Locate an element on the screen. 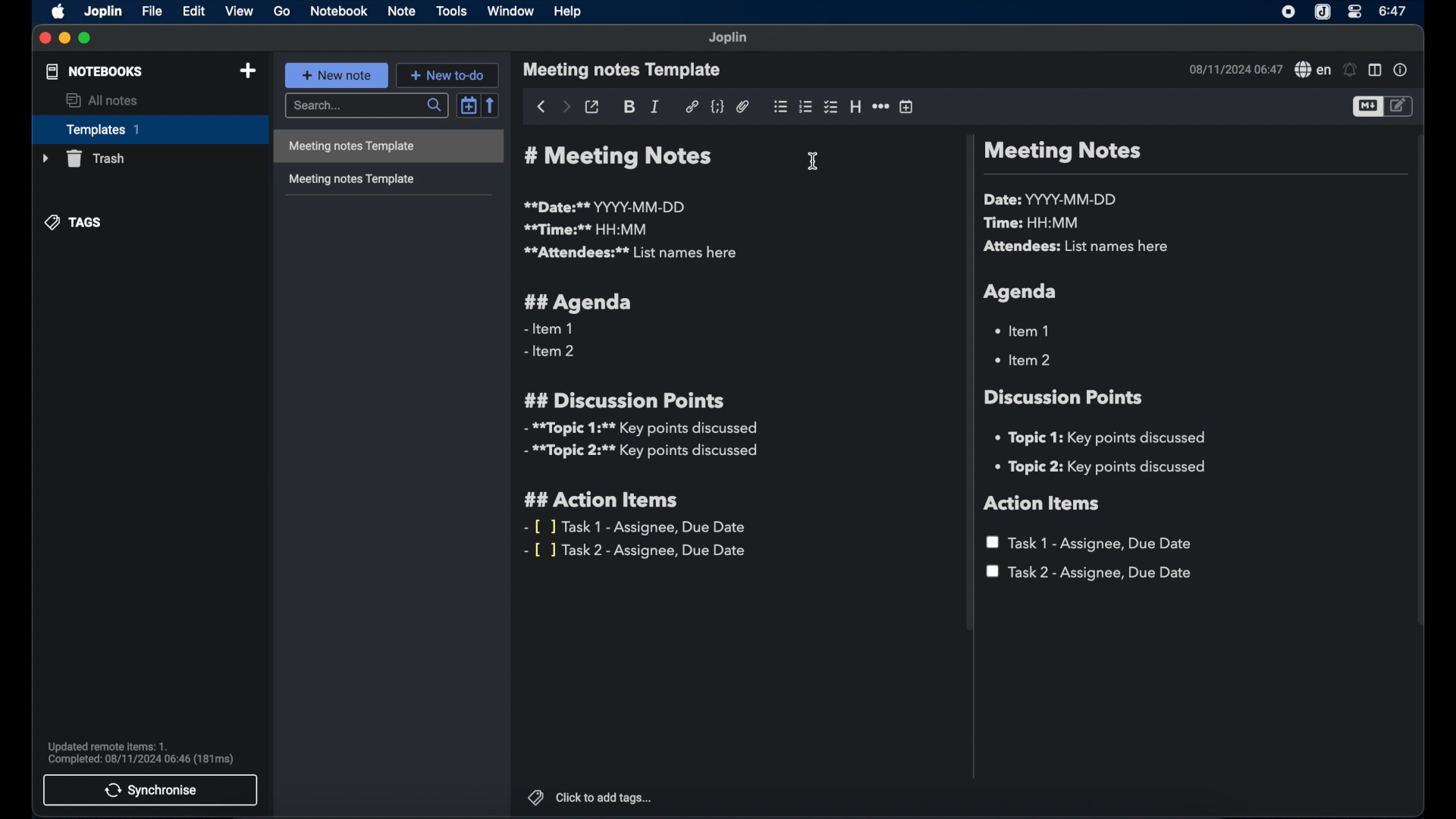 The width and height of the screenshot is (1456, 819). spell checker is located at coordinates (1311, 71).